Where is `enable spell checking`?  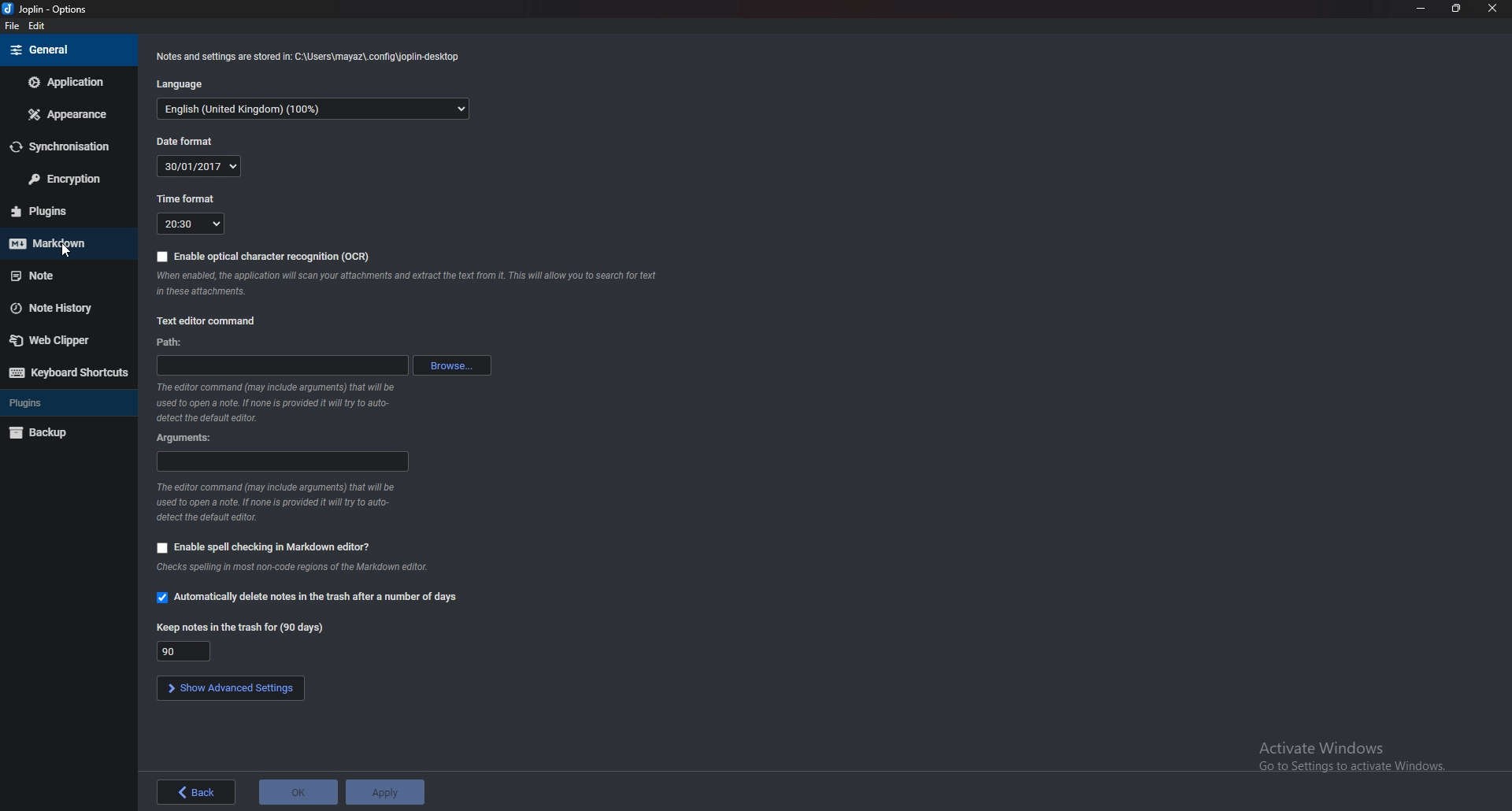
enable spell checking is located at coordinates (265, 549).